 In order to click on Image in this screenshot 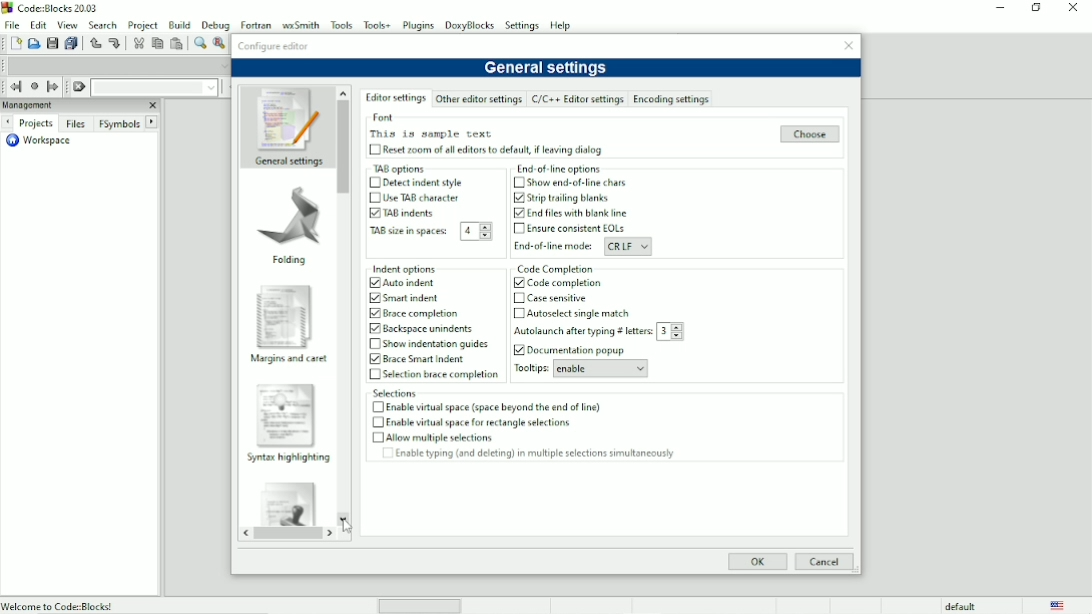, I will do `click(285, 413)`.